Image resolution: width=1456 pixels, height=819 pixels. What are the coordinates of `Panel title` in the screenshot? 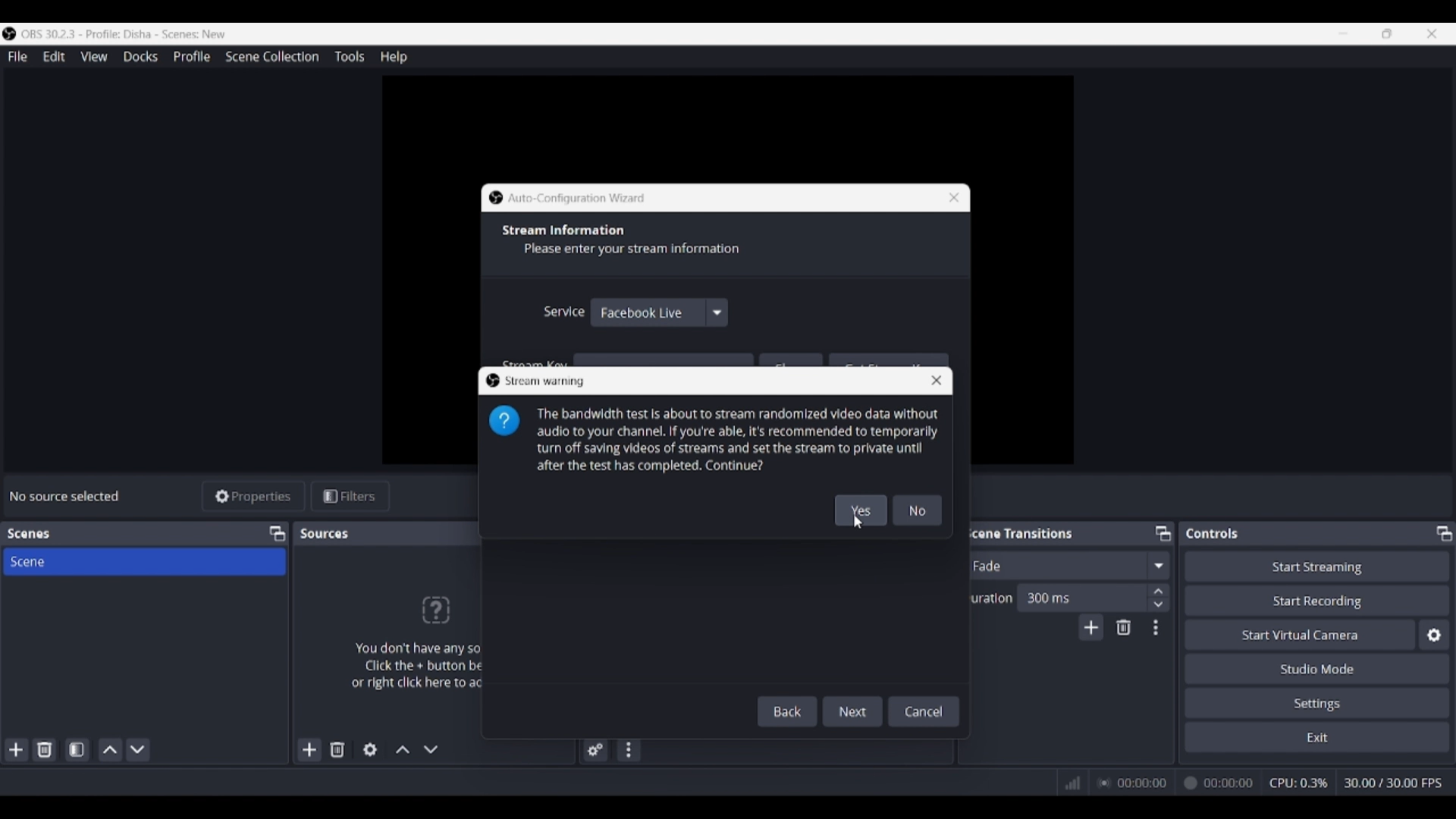 It's located at (29, 534).